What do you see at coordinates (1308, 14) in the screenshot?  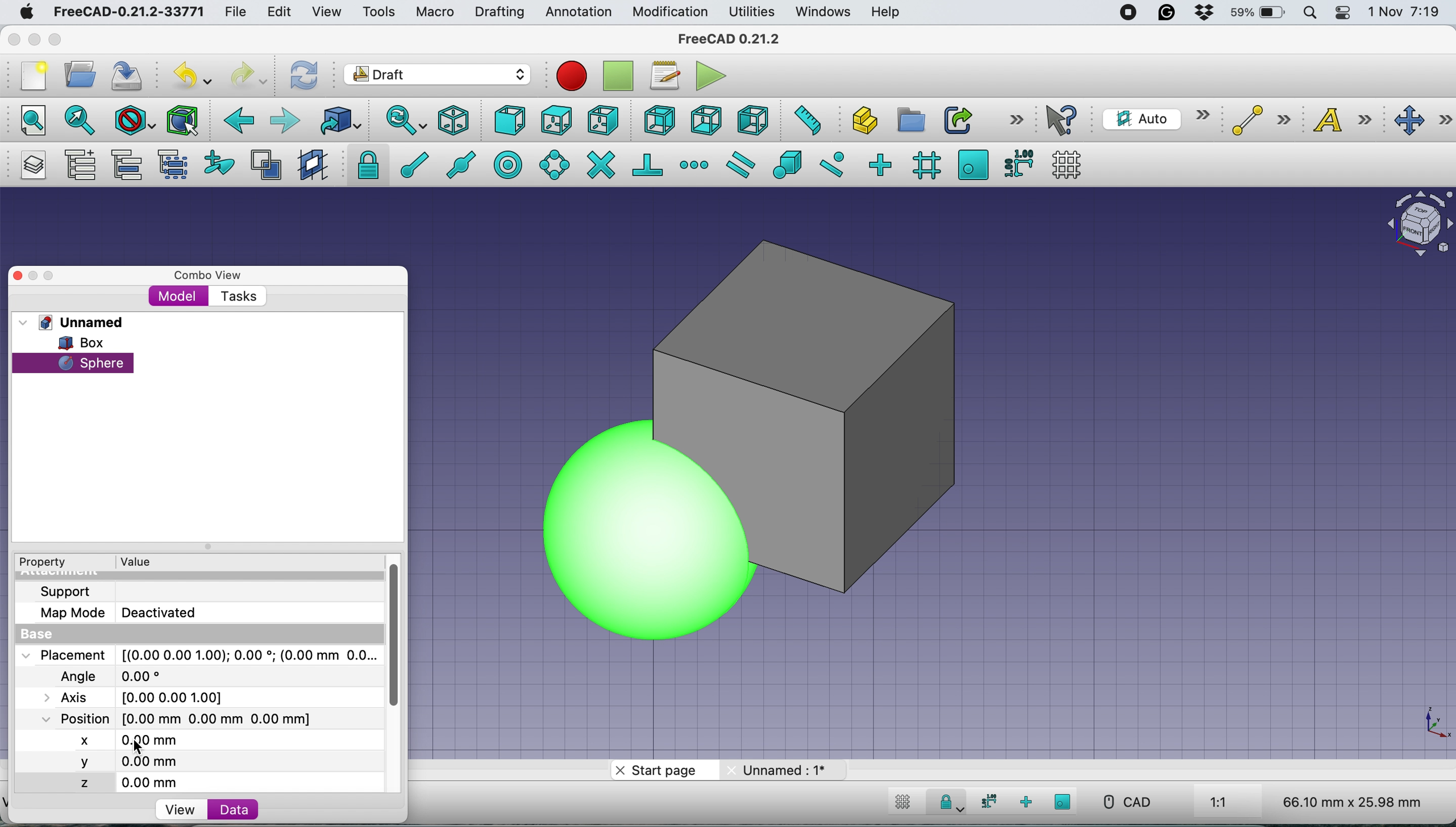 I see `spotlight search` at bounding box center [1308, 14].